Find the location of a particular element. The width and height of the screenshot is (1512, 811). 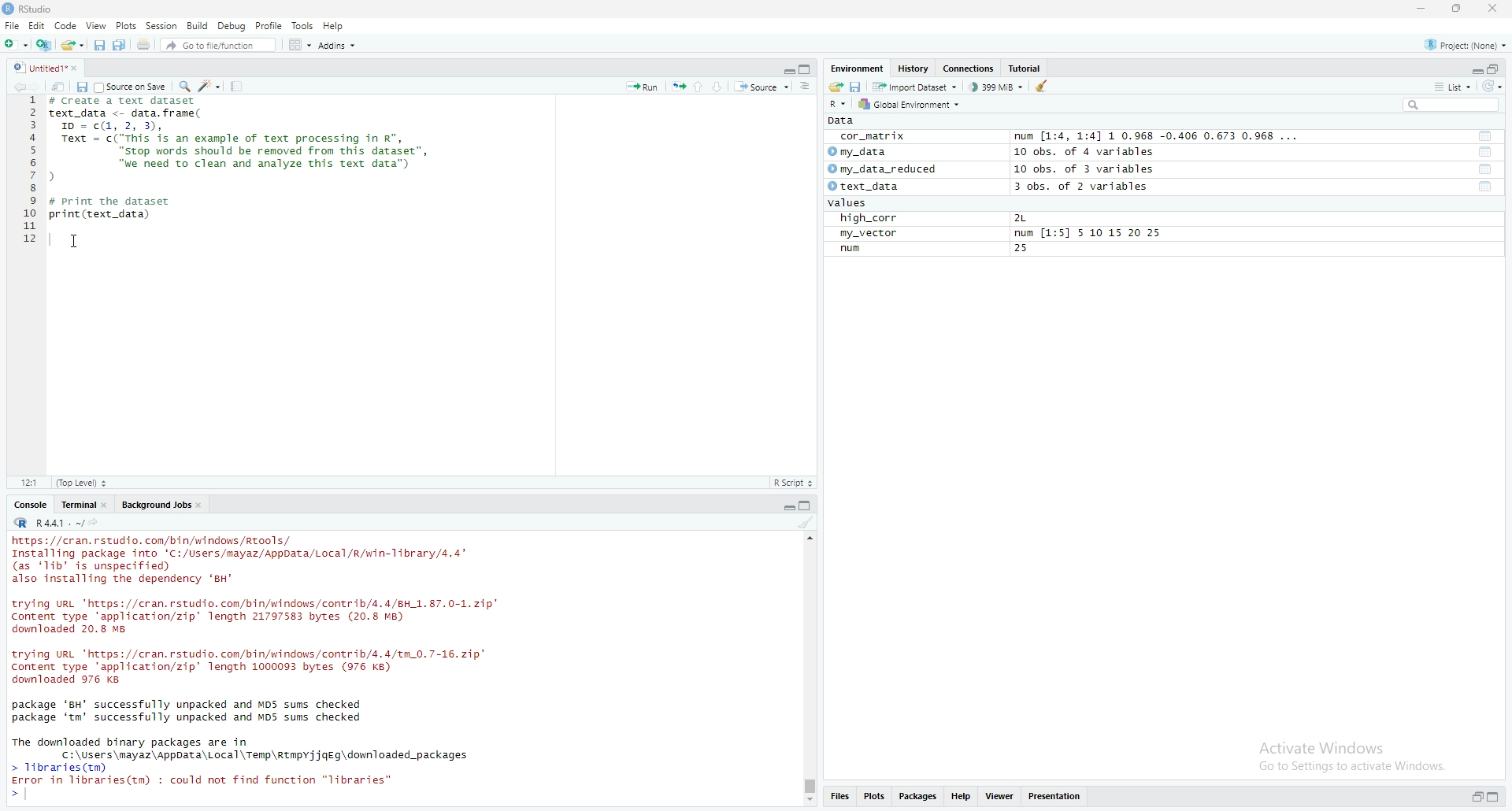

expand is located at coordinates (787, 508).